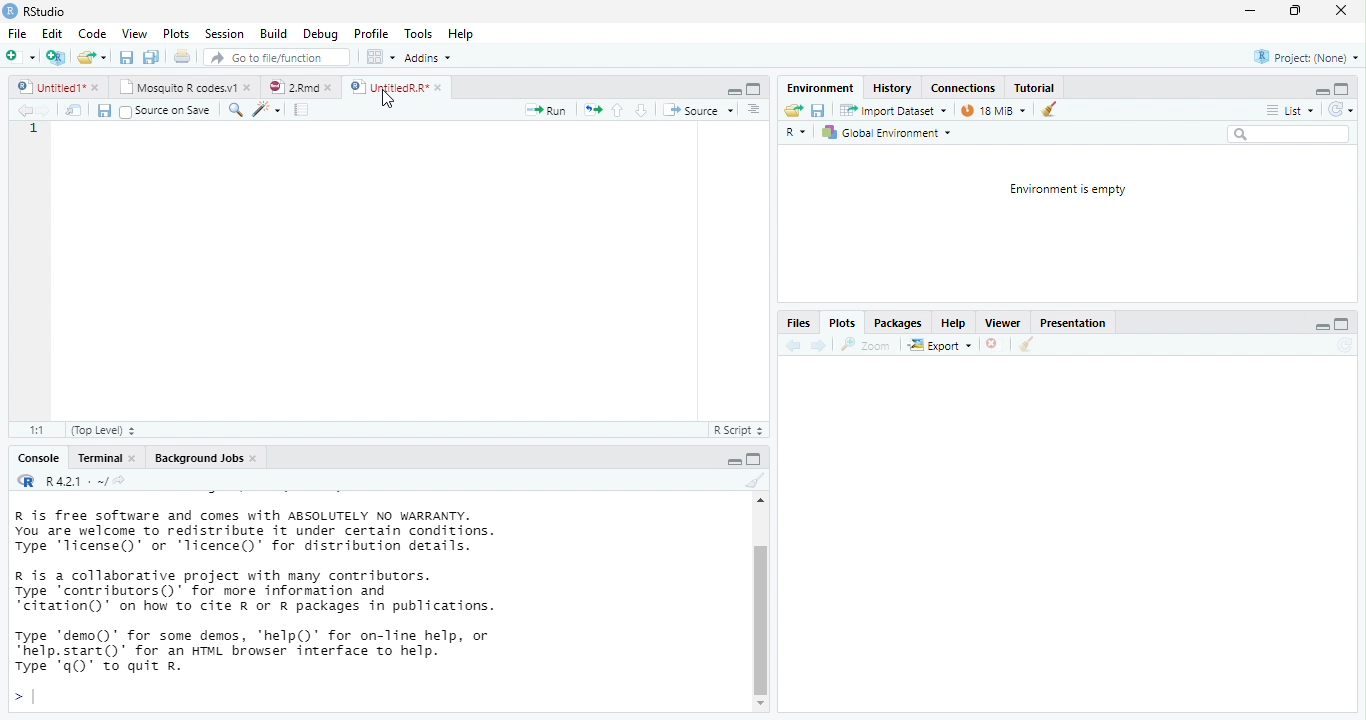 The height and width of the screenshot is (720, 1366). What do you see at coordinates (197, 458) in the screenshot?
I see `Background Jobs` at bounding box center [197, 458].